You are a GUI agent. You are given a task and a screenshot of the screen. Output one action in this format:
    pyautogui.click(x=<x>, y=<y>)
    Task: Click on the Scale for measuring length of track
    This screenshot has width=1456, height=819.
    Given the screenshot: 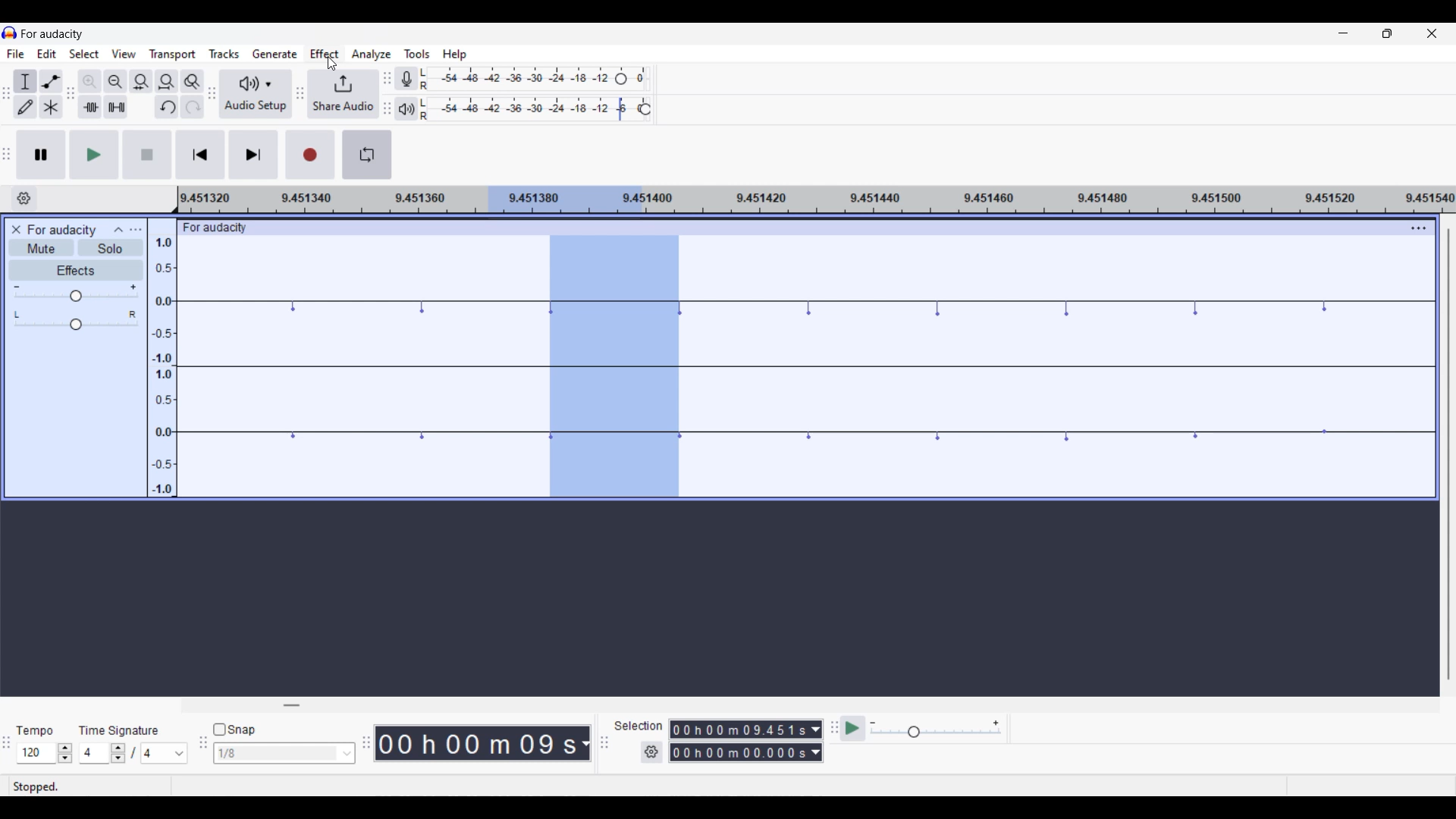 What is the action you would take?
    pyautogui.click(x=817, y=199)
    